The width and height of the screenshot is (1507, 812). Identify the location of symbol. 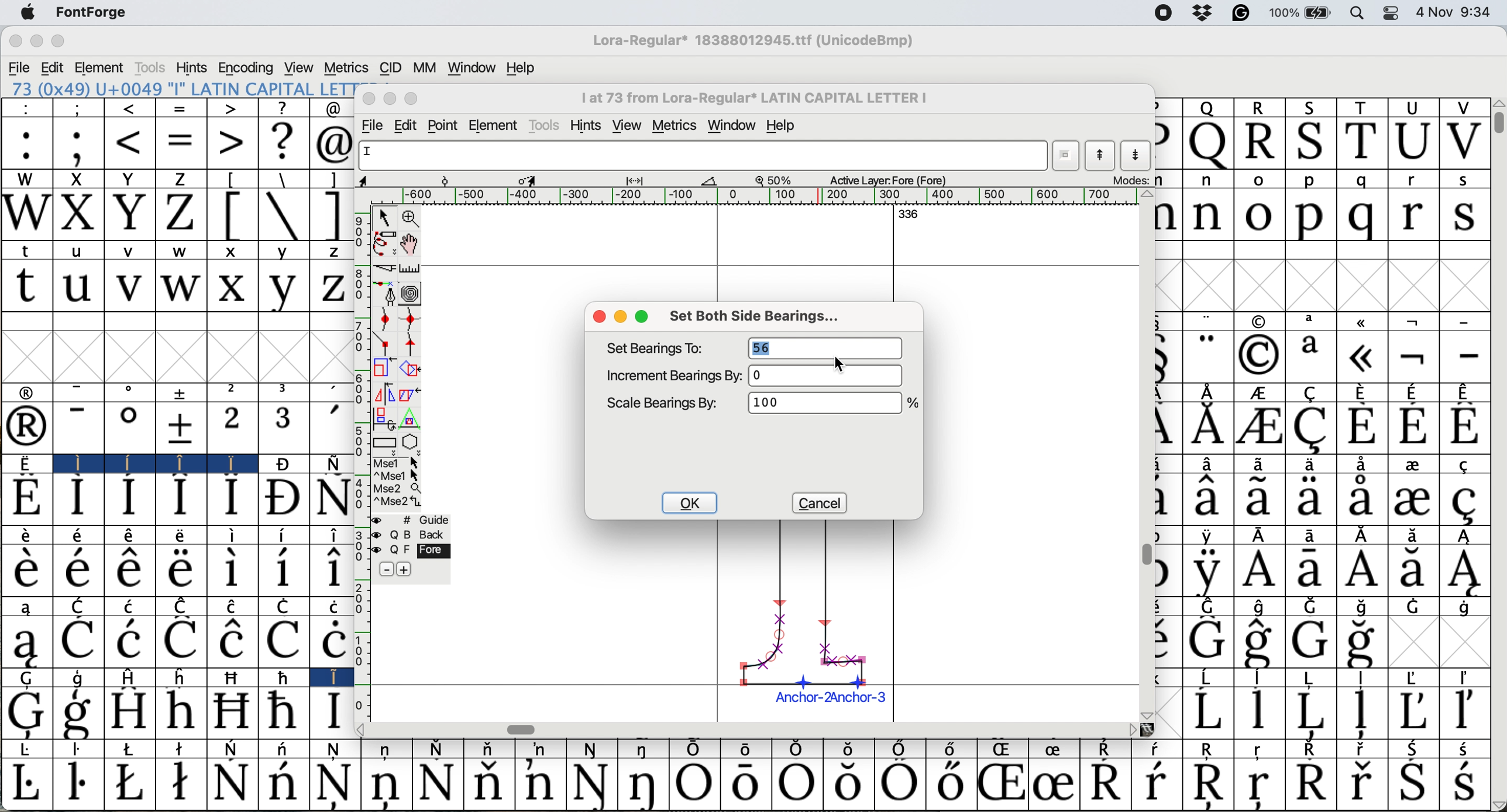
(183, 392).